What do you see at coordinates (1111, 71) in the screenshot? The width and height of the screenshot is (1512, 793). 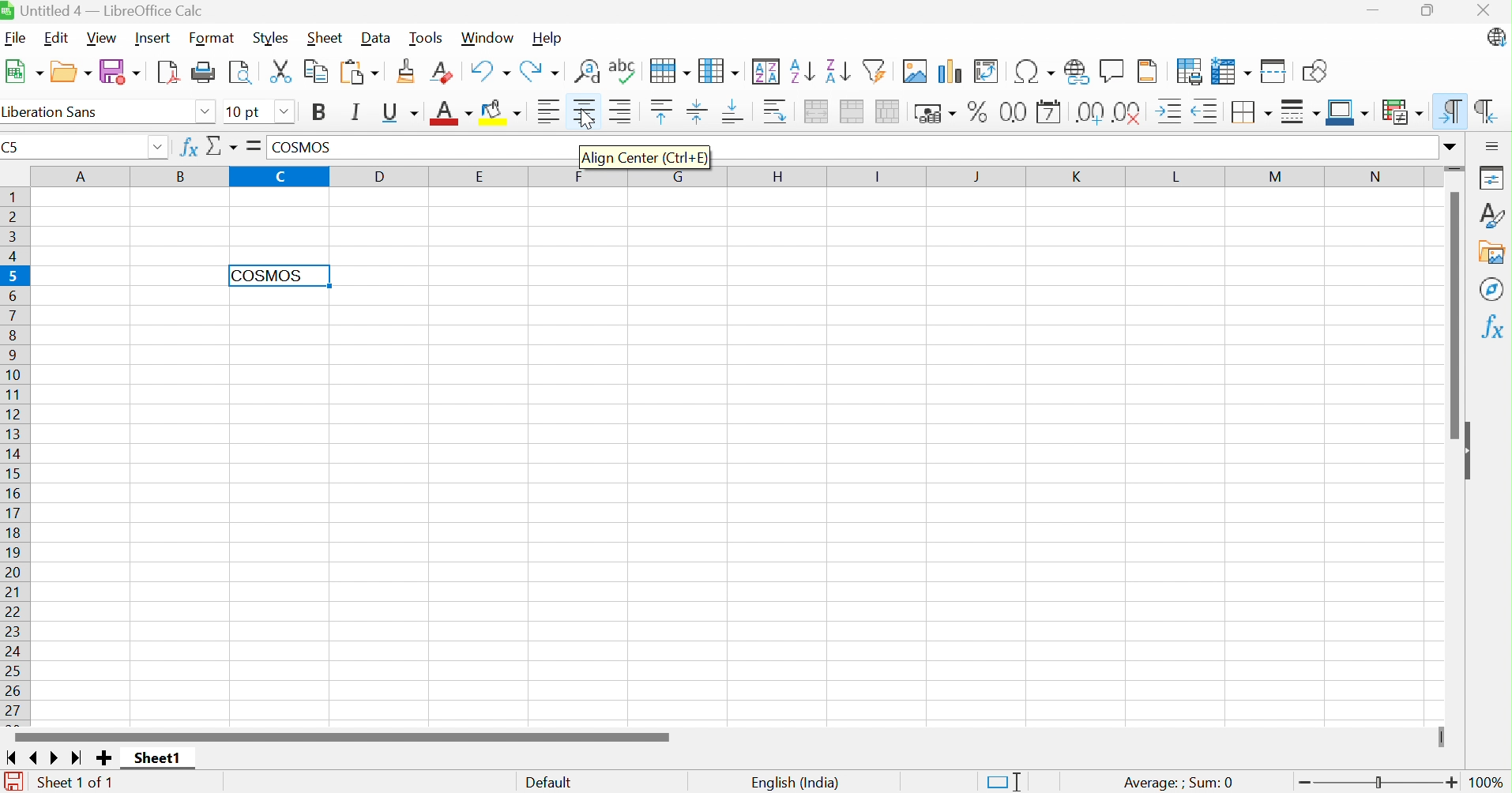 I see `Insert Comment` at bounding box center [1111, 71].